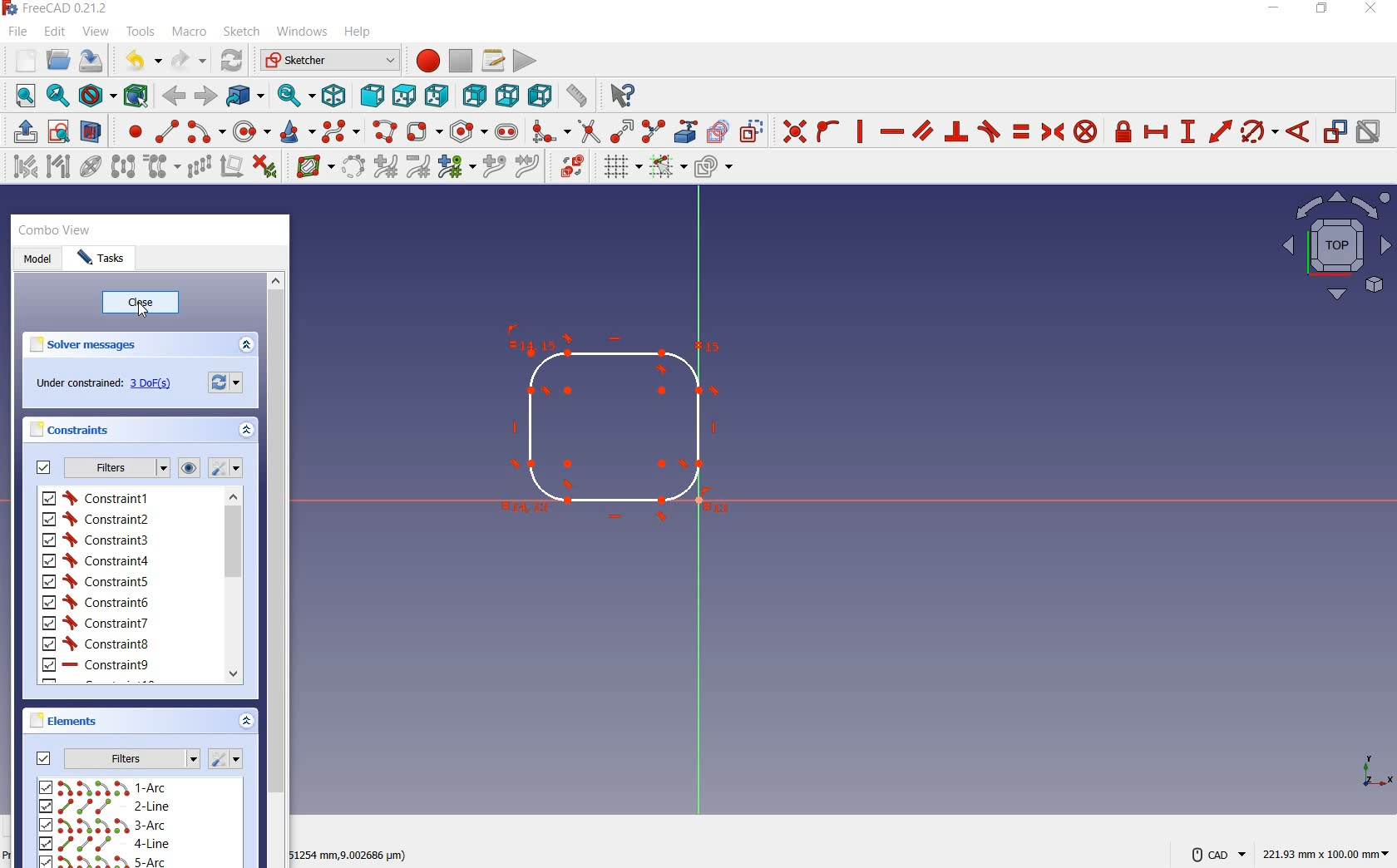  What do you see at coordinates (1276, 8) in the screenshot?
I see `minimize` at bounding box center [1276, 8].